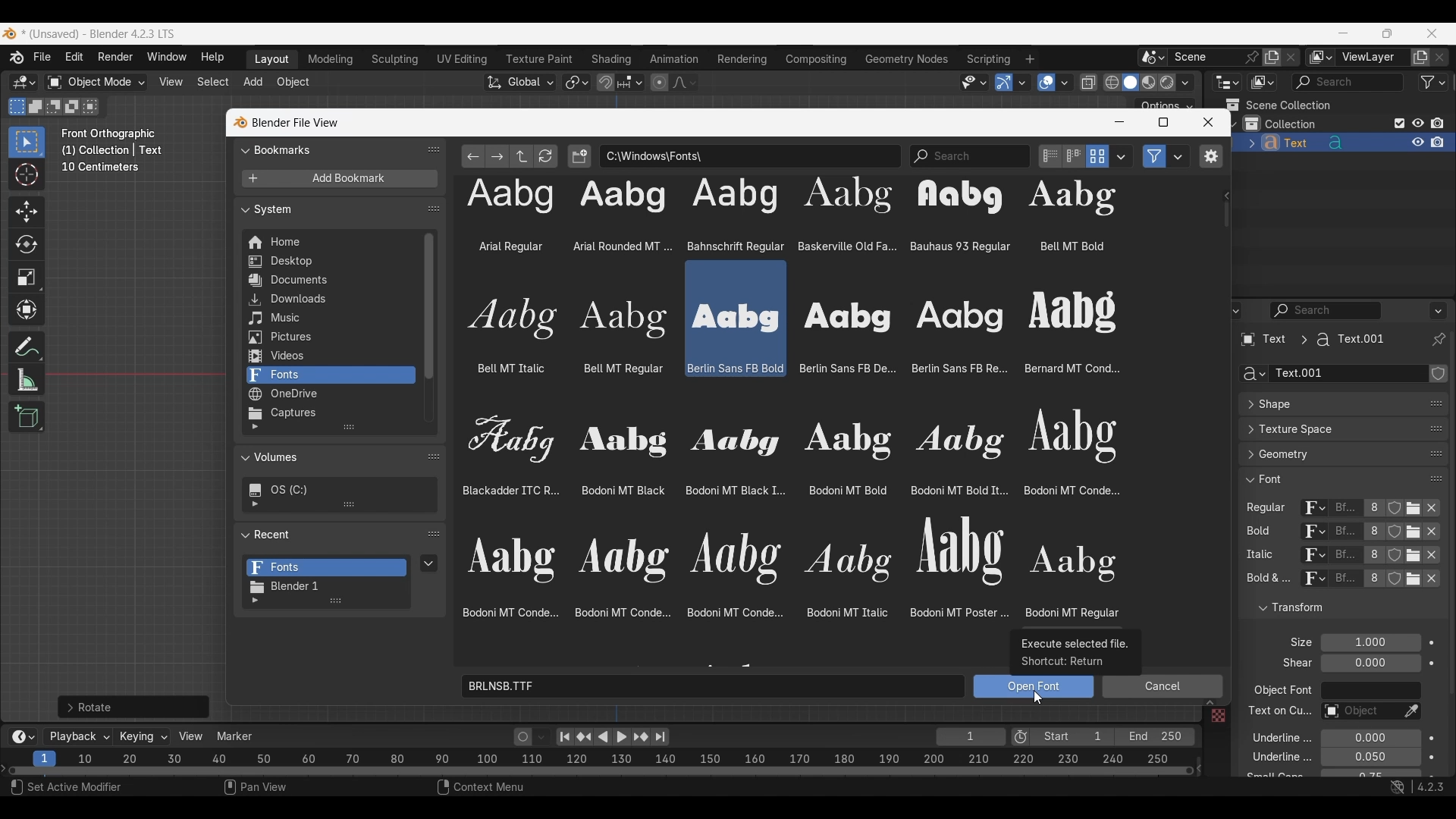 This screenshot has height=819, width=1456. I want to click on Layout workspace, current selection, so click(271, 60).